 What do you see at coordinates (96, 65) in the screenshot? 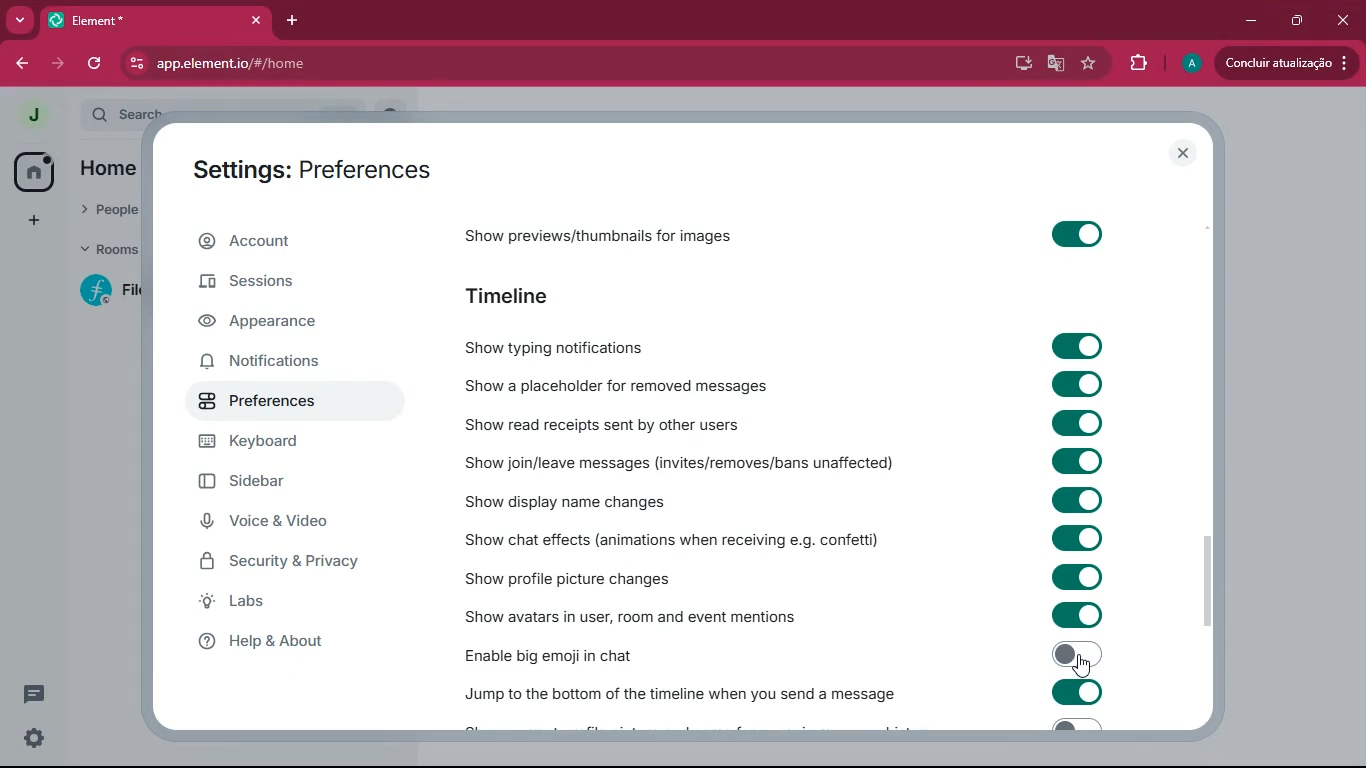
I see `refresh` at bounding box center [96, 65].